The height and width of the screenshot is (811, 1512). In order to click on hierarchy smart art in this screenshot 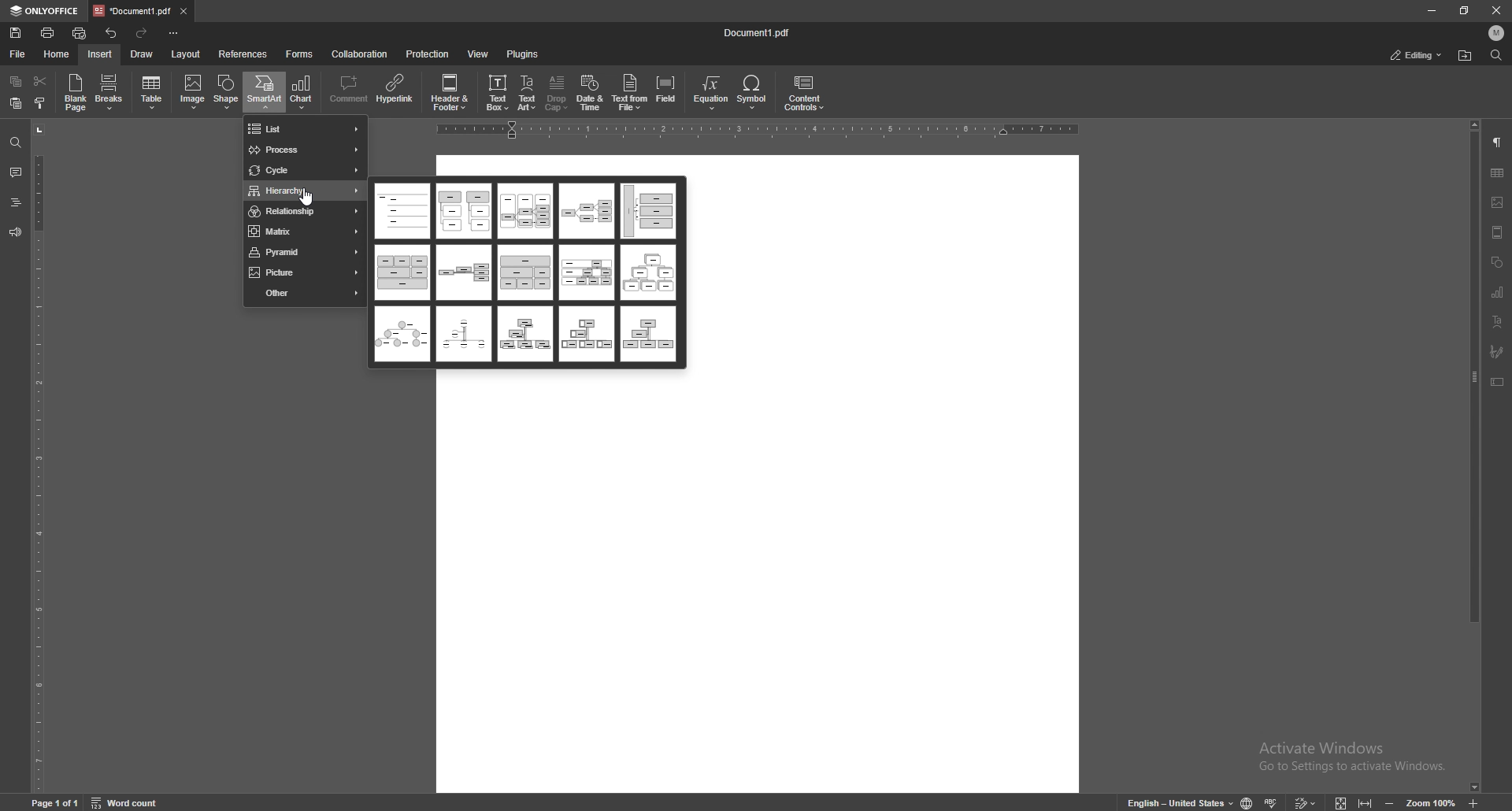, I will do `click(525, 272)`.